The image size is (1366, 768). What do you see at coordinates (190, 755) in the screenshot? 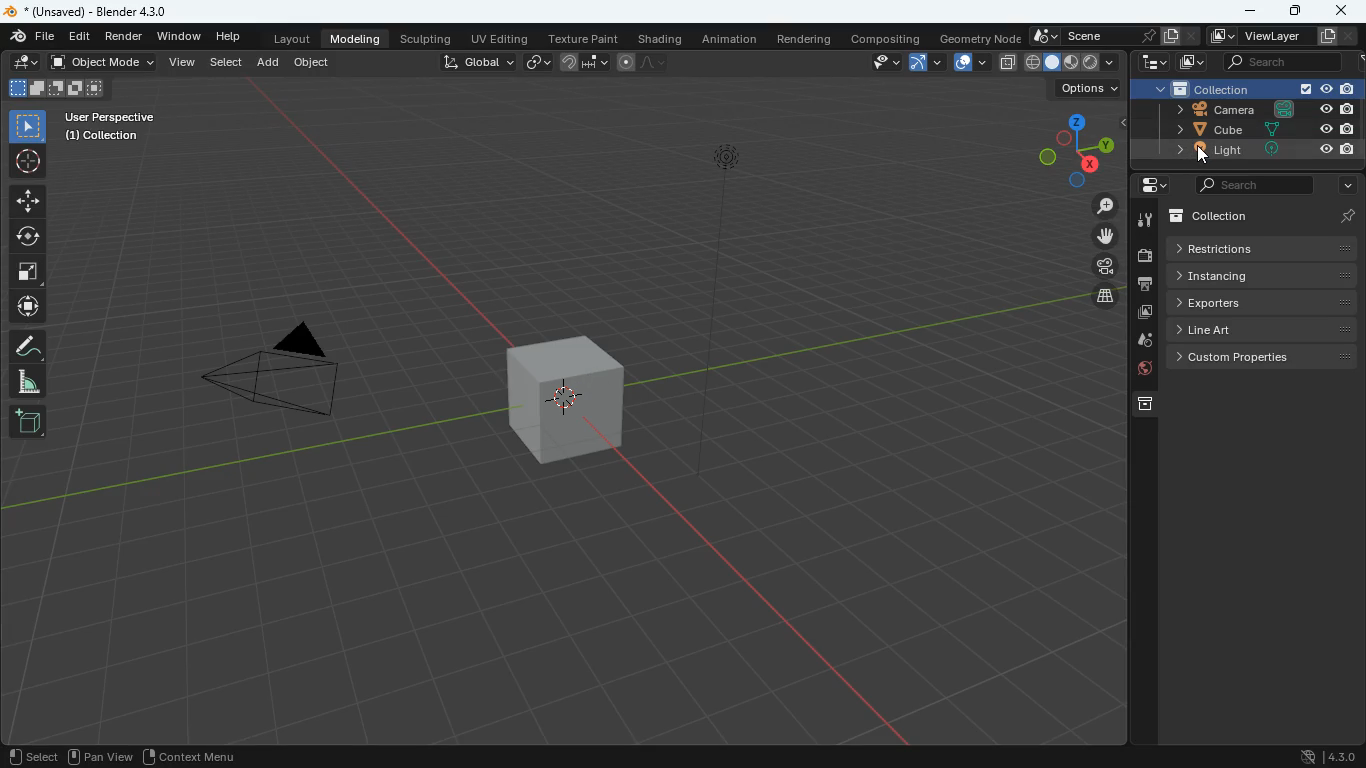
I see `context menu` at bounding box center [190, 755].